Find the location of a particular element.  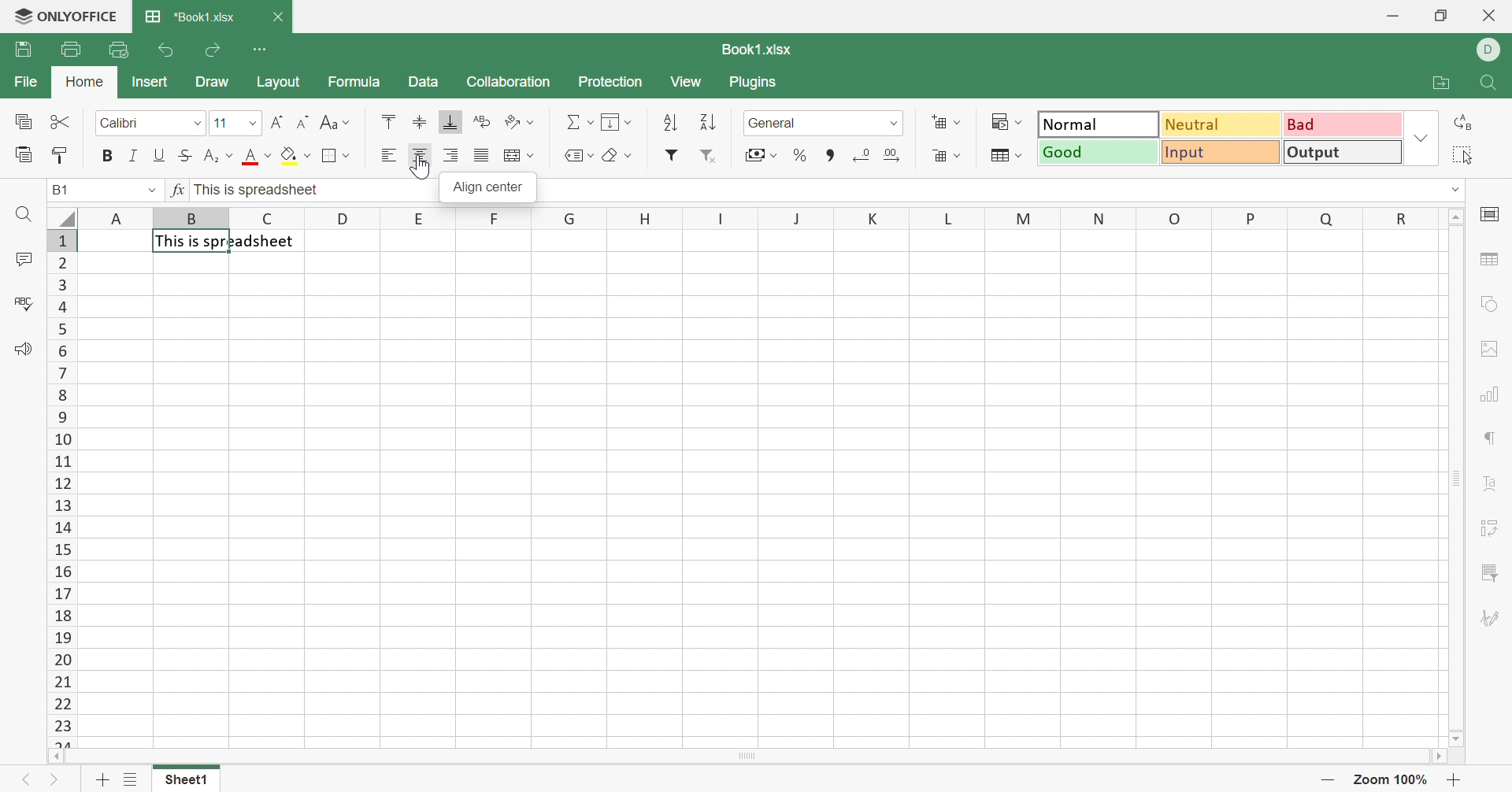

Input is located at coordinates (1221, 154).